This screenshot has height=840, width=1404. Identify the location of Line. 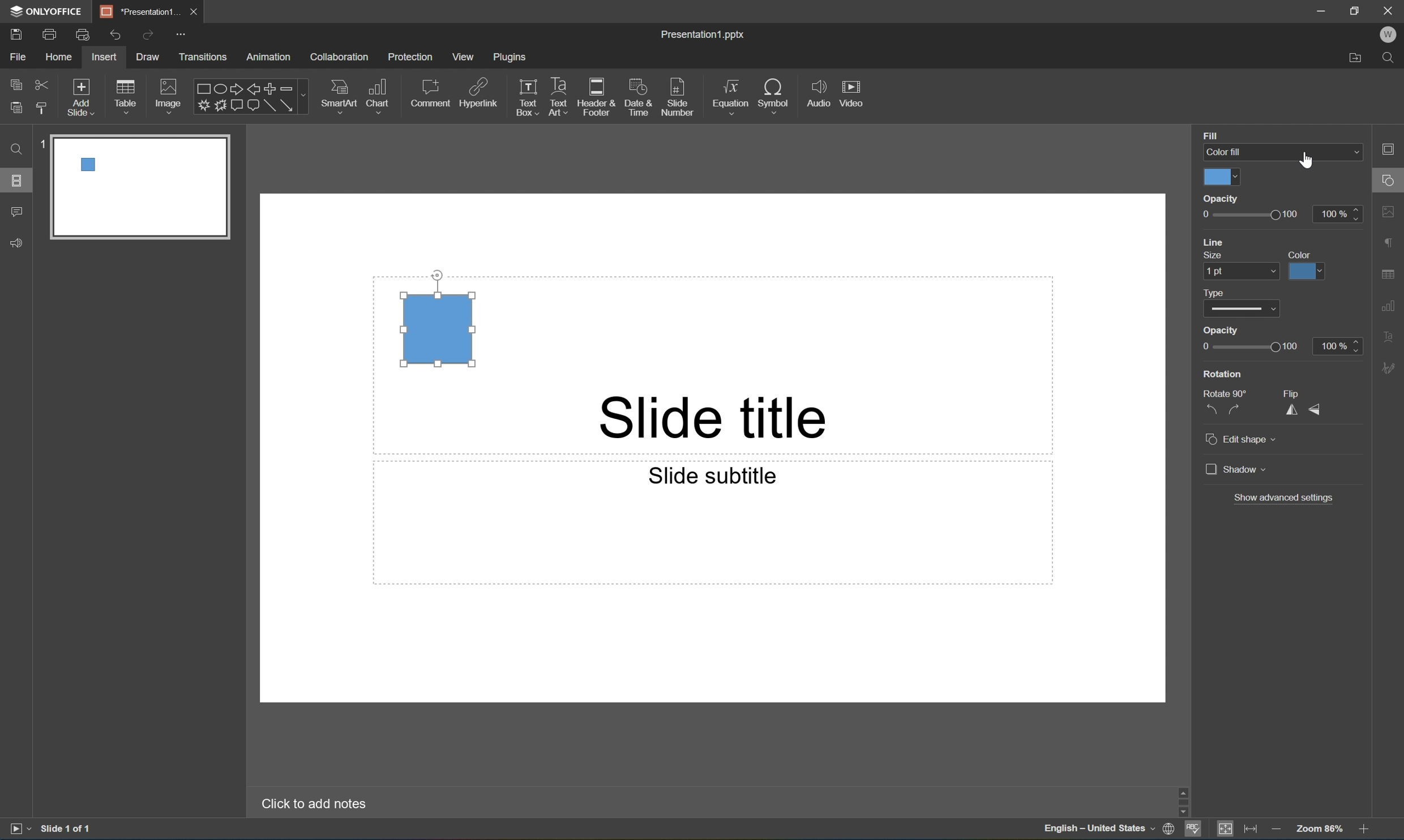
(1211, 242).